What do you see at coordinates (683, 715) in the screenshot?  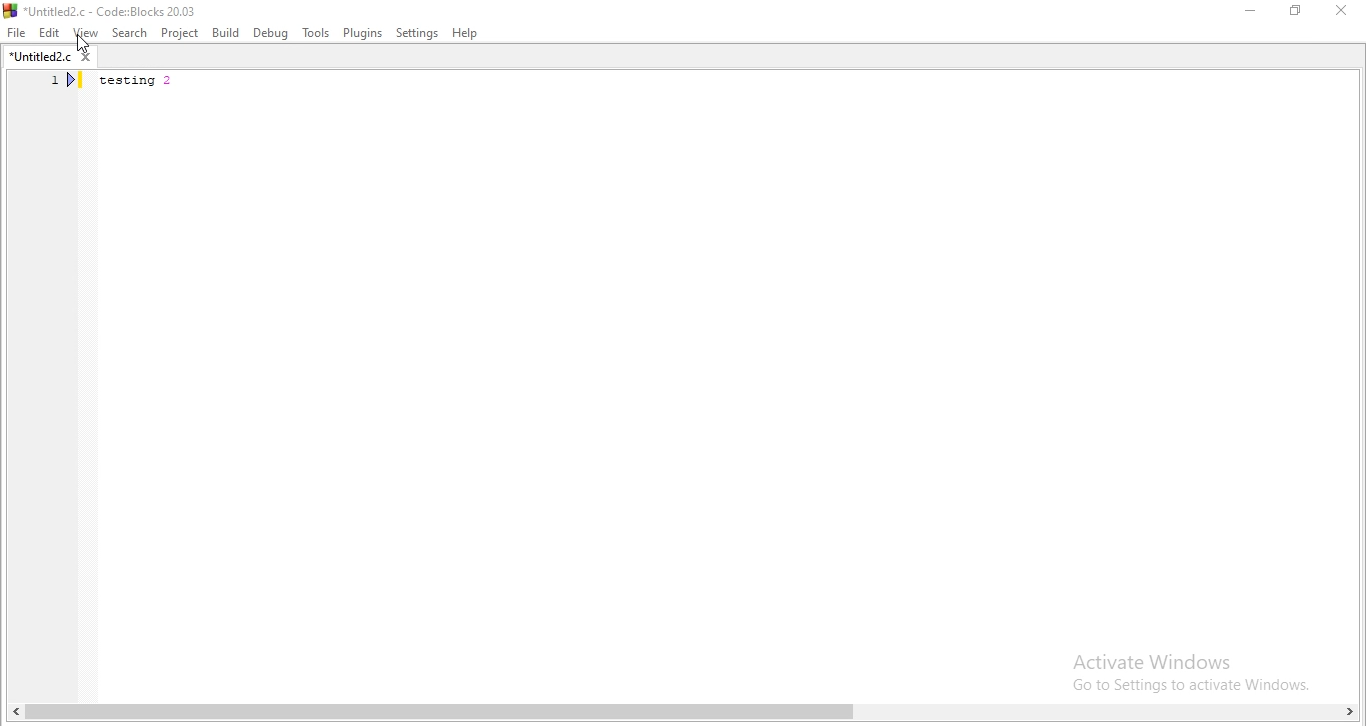 I see `scroll bar` at bounding box center [683, 715].